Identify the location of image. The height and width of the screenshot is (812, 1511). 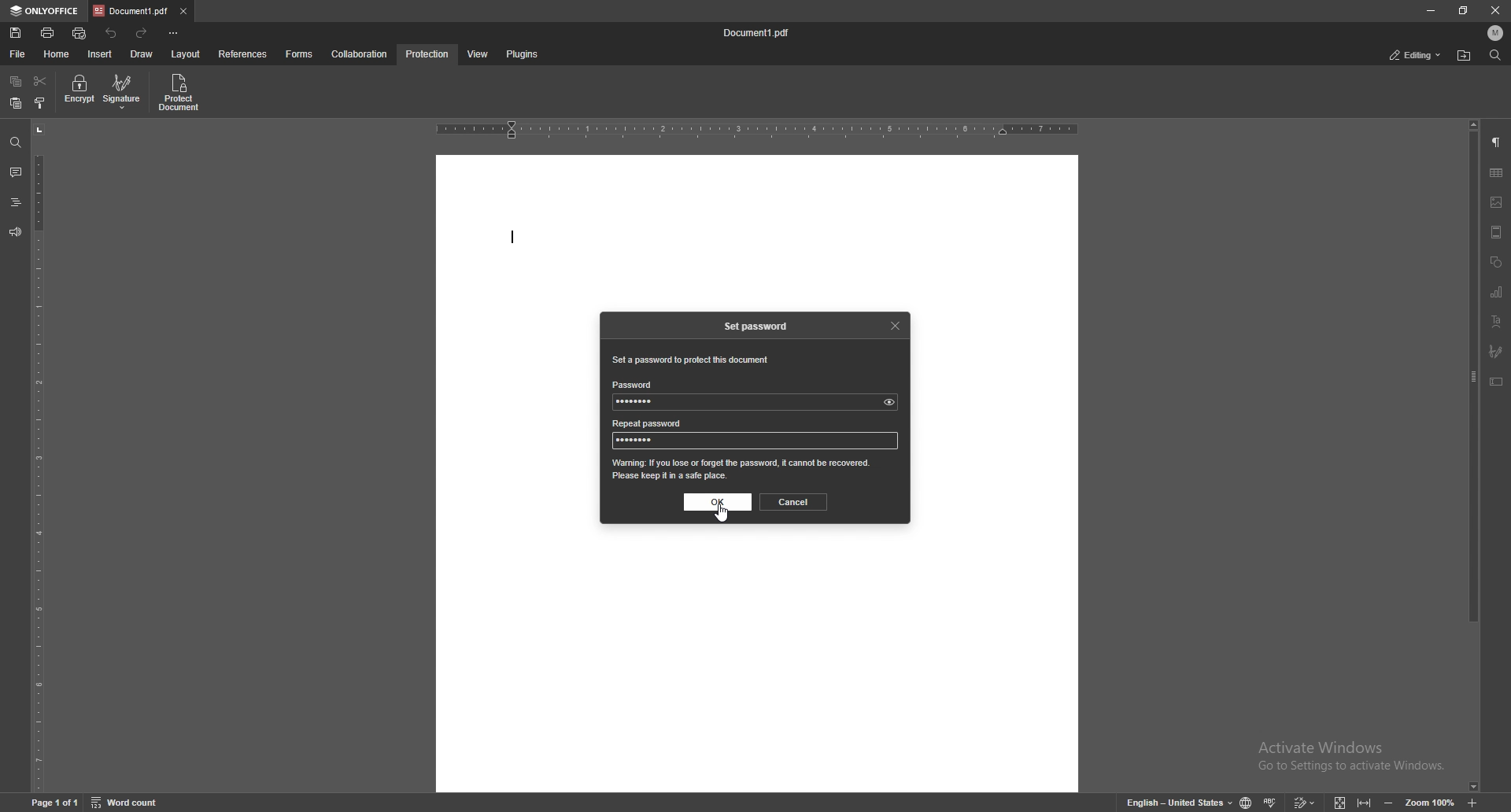
(1497, 202).